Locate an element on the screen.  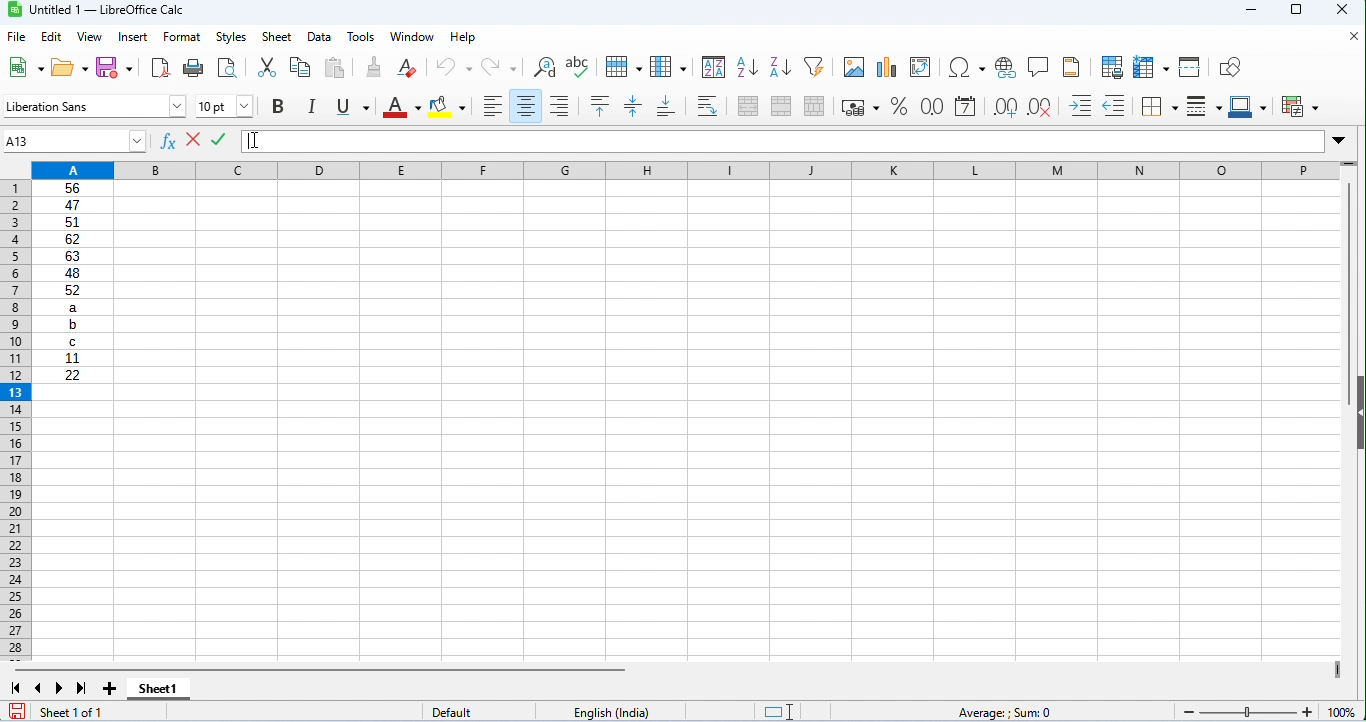
align left is located at coordinates (490, 106).